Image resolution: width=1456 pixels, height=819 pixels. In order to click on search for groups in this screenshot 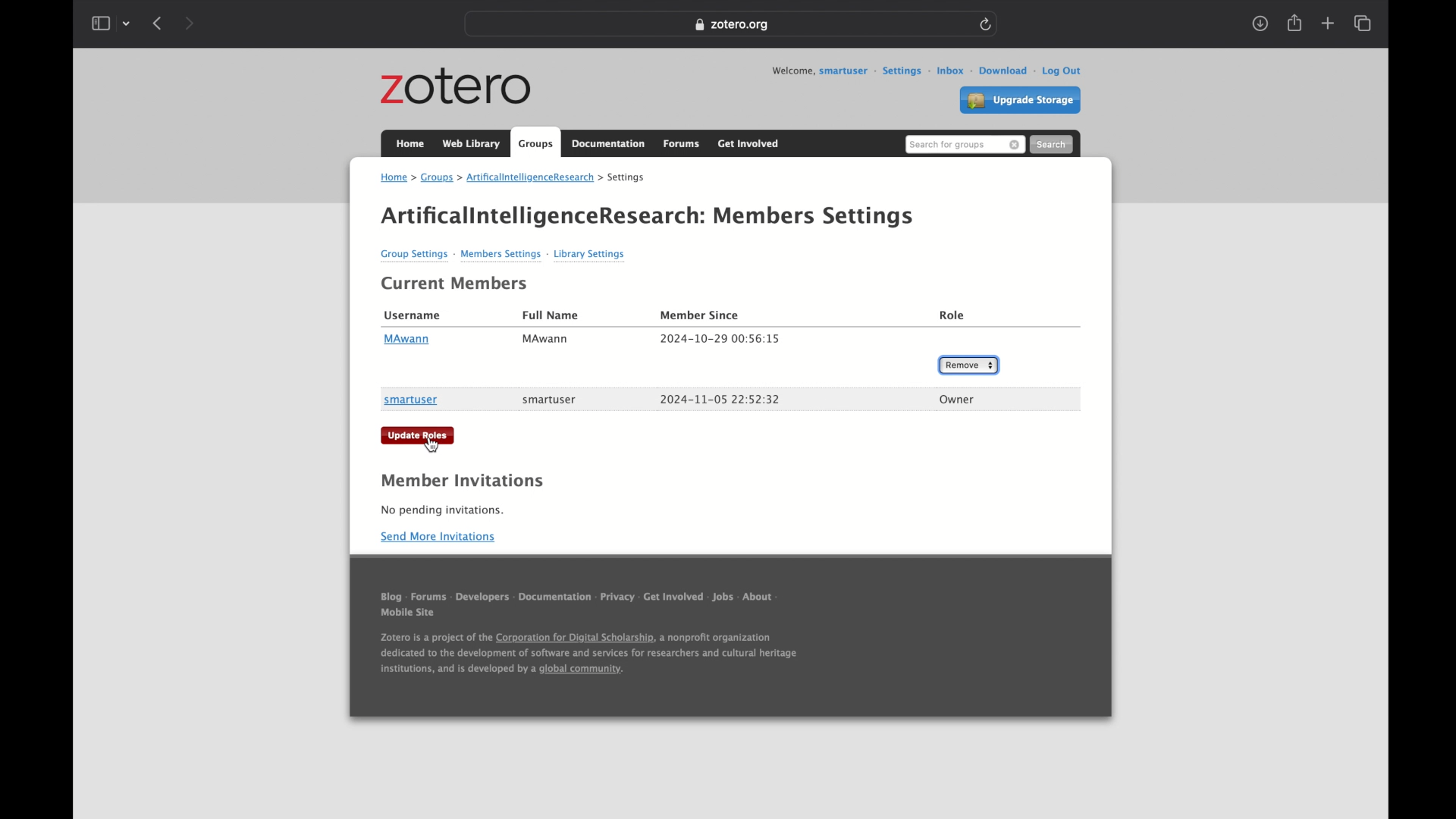, I will do `click(947, 146)`.